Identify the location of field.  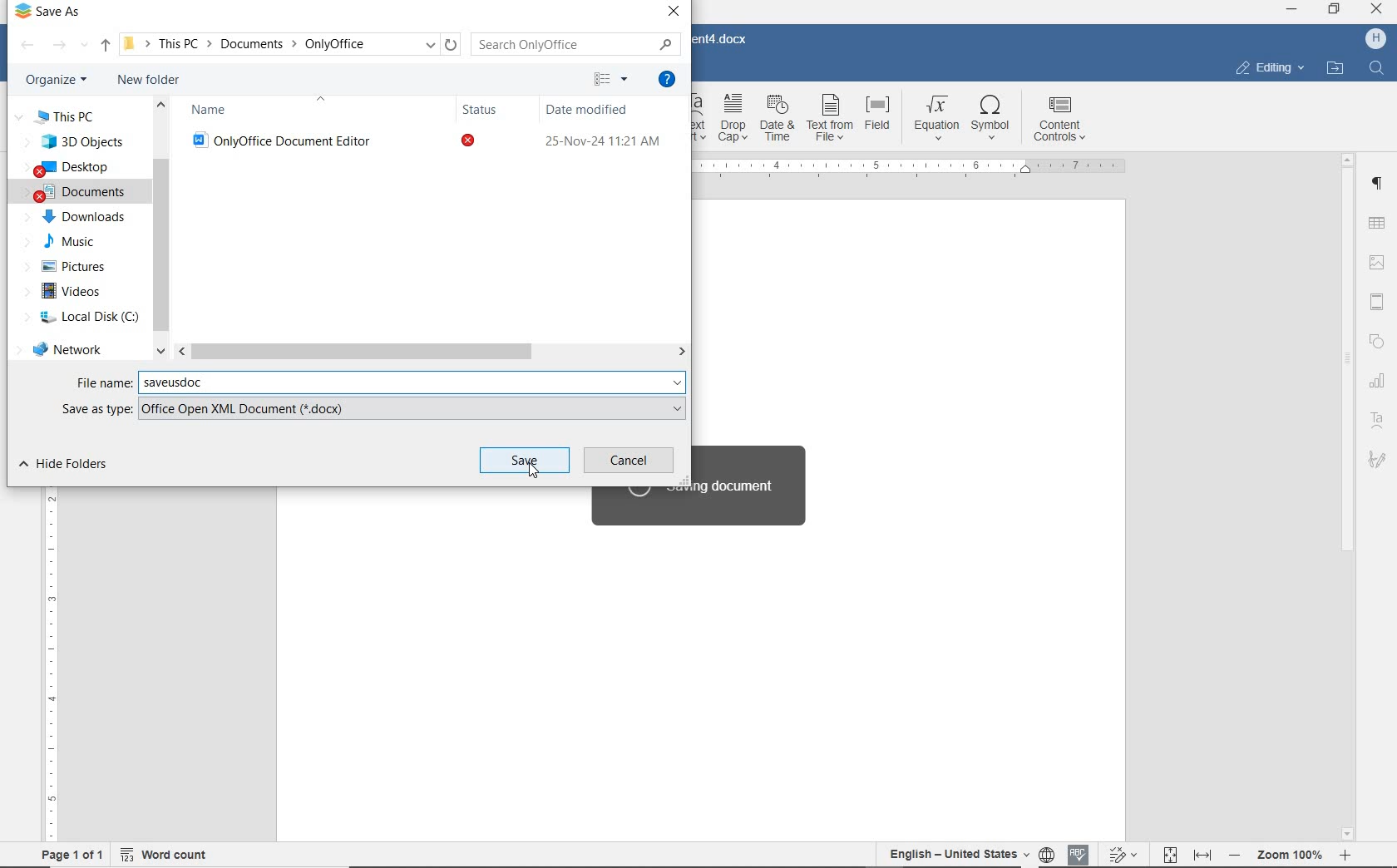
(876, 121).